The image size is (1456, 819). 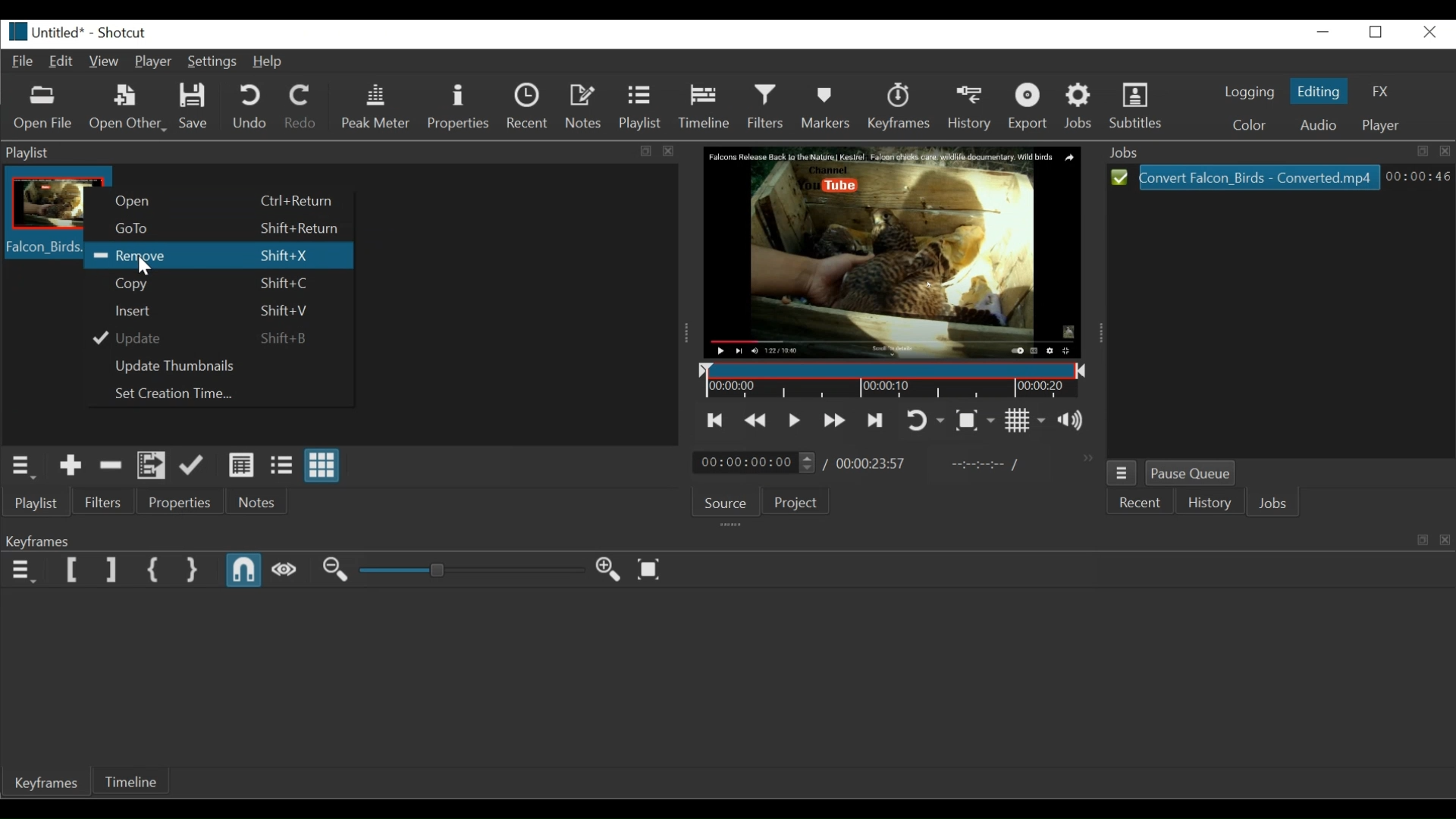 I want to click on Jobs, so click(x=1079, y=108).